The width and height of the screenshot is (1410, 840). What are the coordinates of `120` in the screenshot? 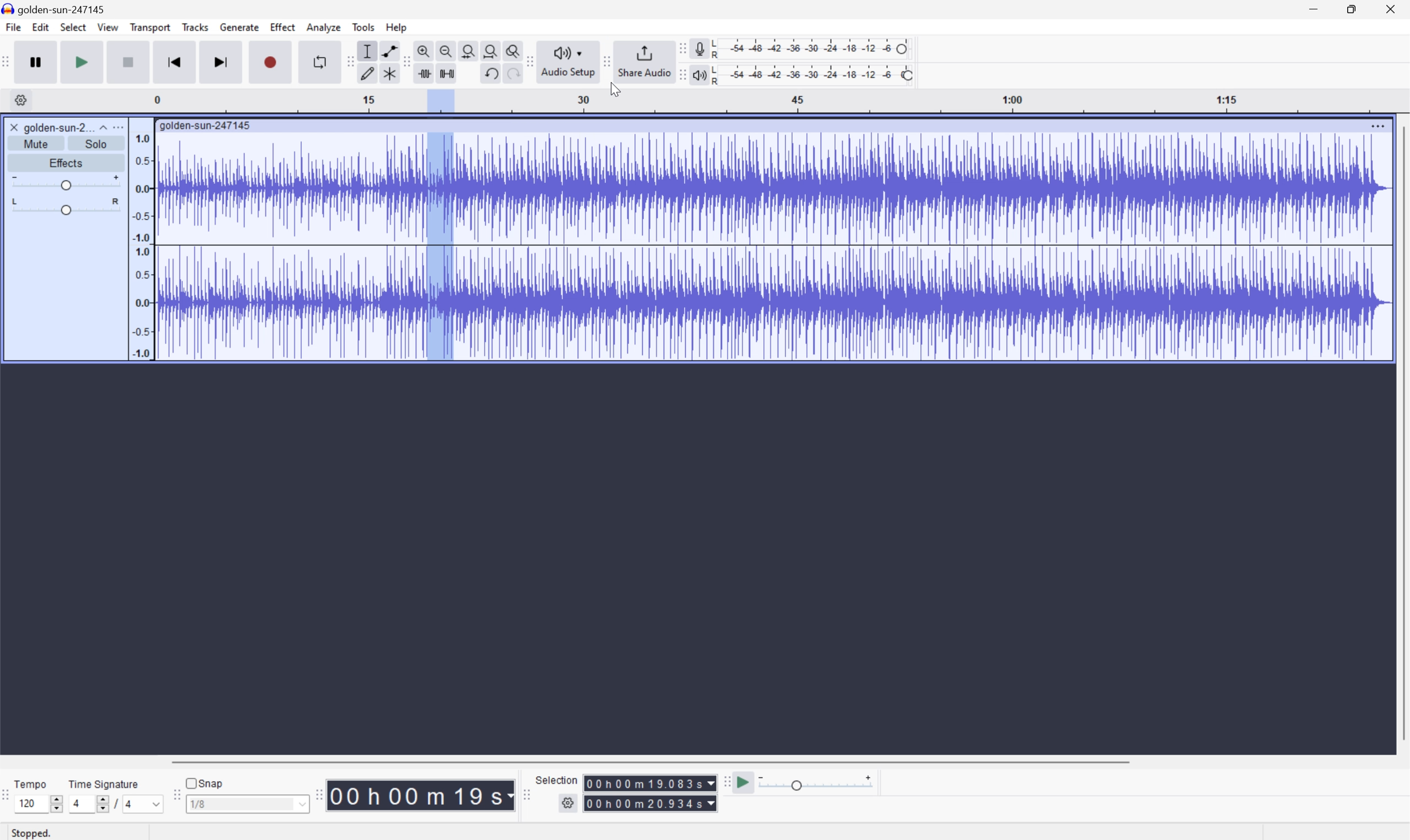 It's located at (27, 803).